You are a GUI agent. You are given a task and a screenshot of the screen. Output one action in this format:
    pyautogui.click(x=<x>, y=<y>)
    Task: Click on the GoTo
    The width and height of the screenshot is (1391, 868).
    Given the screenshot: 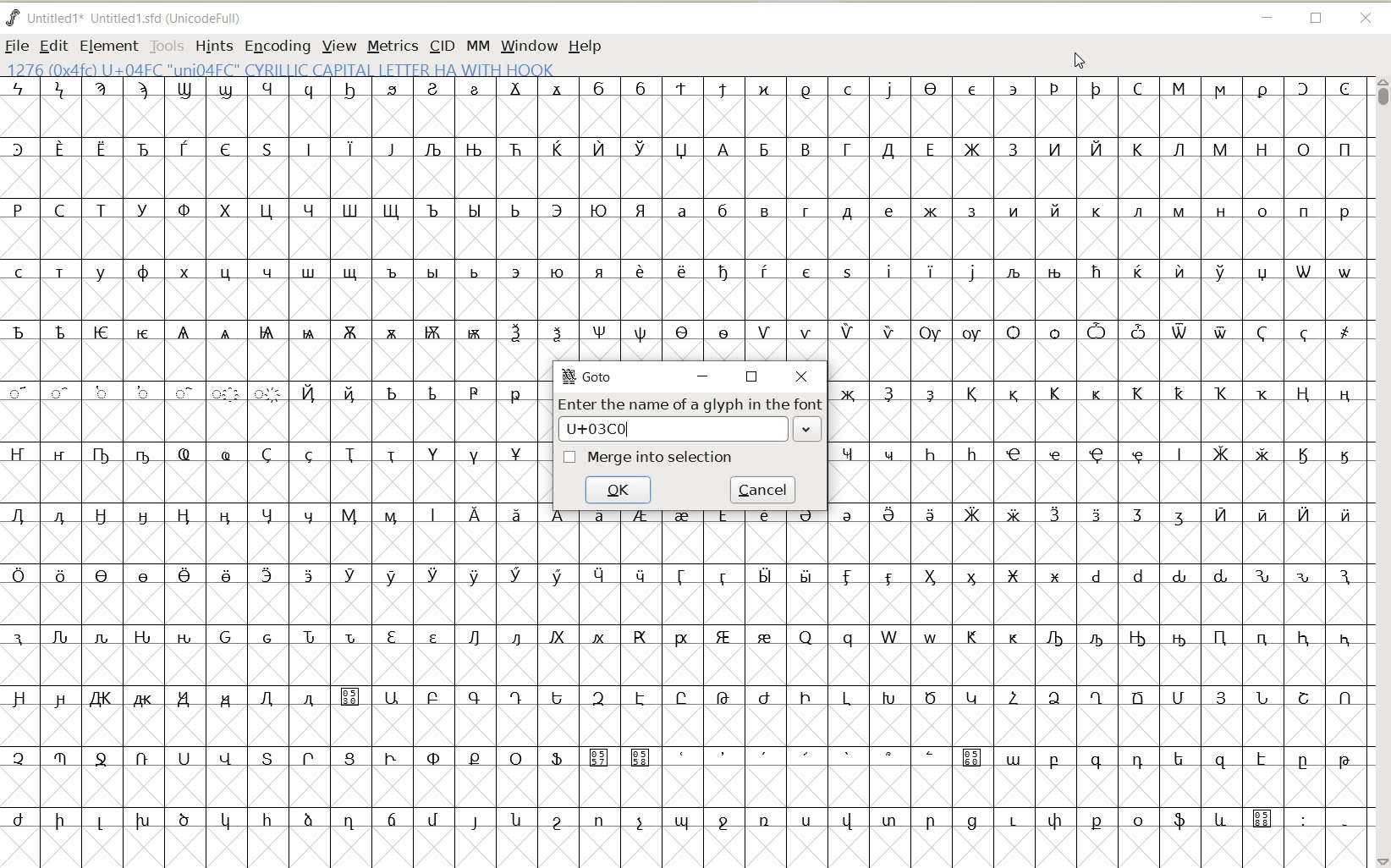 What is the action you would take?
    pyautogui.click(x=590, y=376)
    